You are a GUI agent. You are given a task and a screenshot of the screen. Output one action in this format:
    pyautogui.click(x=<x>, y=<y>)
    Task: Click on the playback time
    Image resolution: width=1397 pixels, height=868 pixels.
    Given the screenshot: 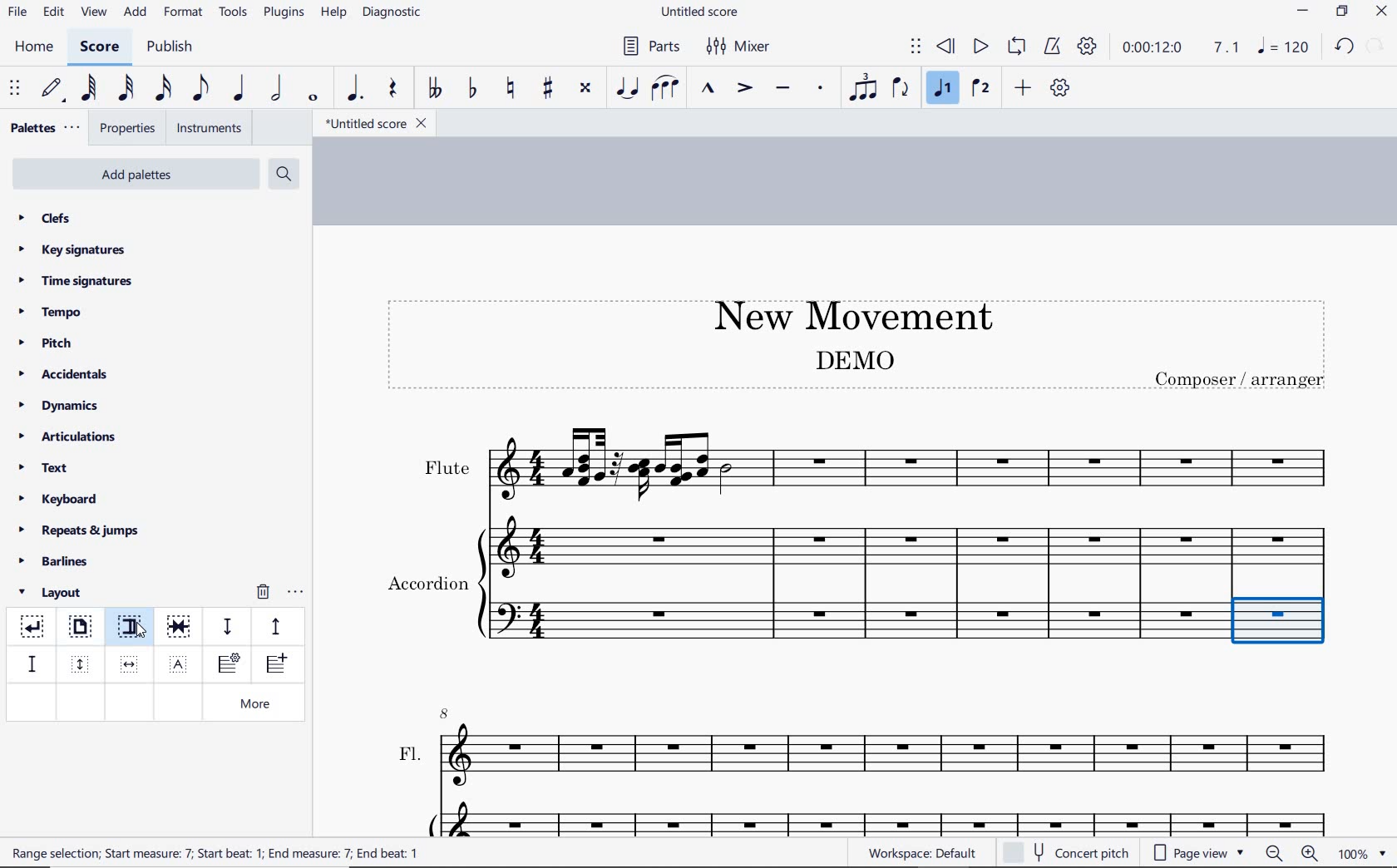 What is the action you would take?
    pyautogui.click(x=1153, y=47)
    